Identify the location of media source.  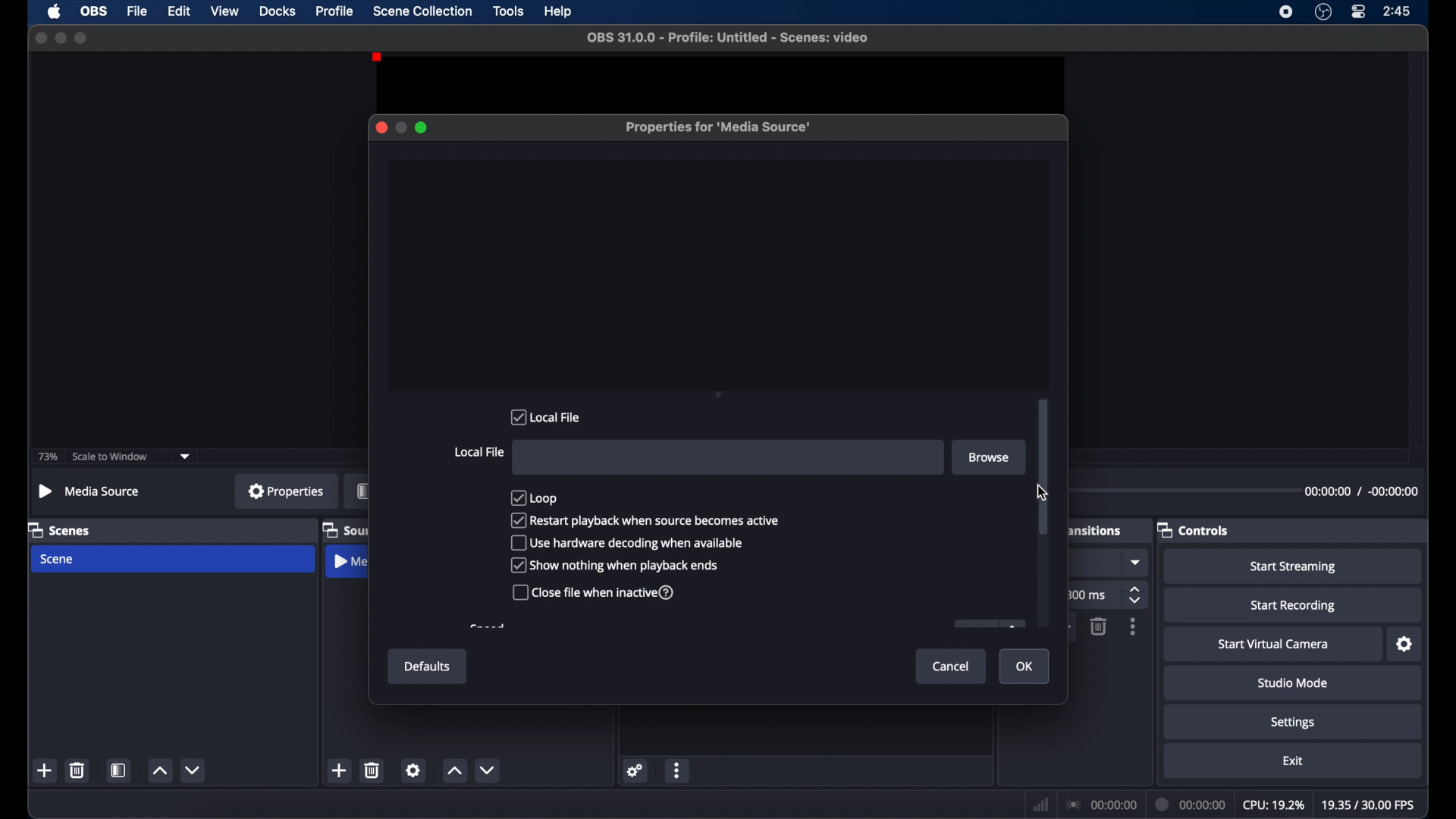
(350, 563).